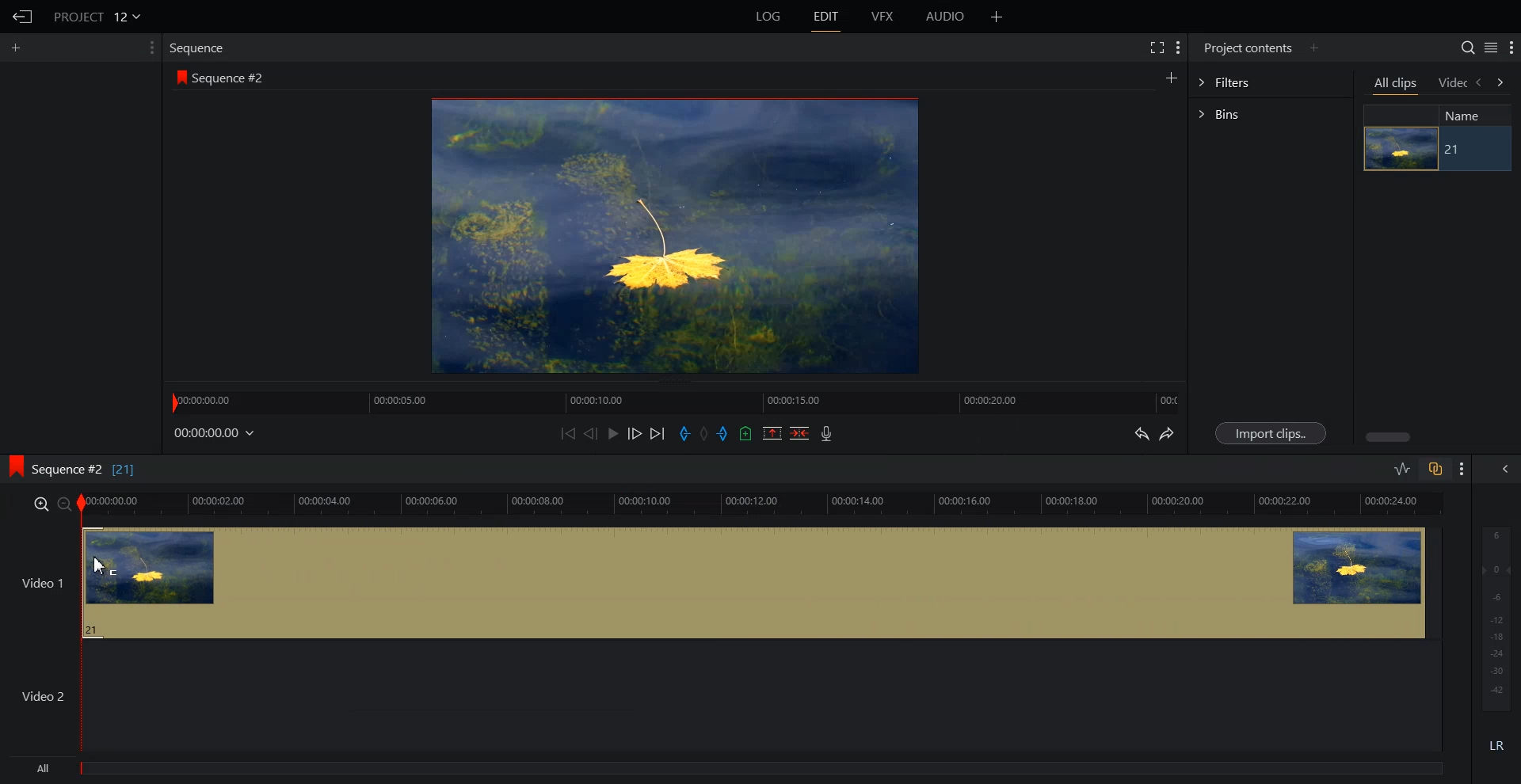  What do you see at coordinates (178, 78) in the screenshot?
I see `logo` at bounding box center [178, 78].